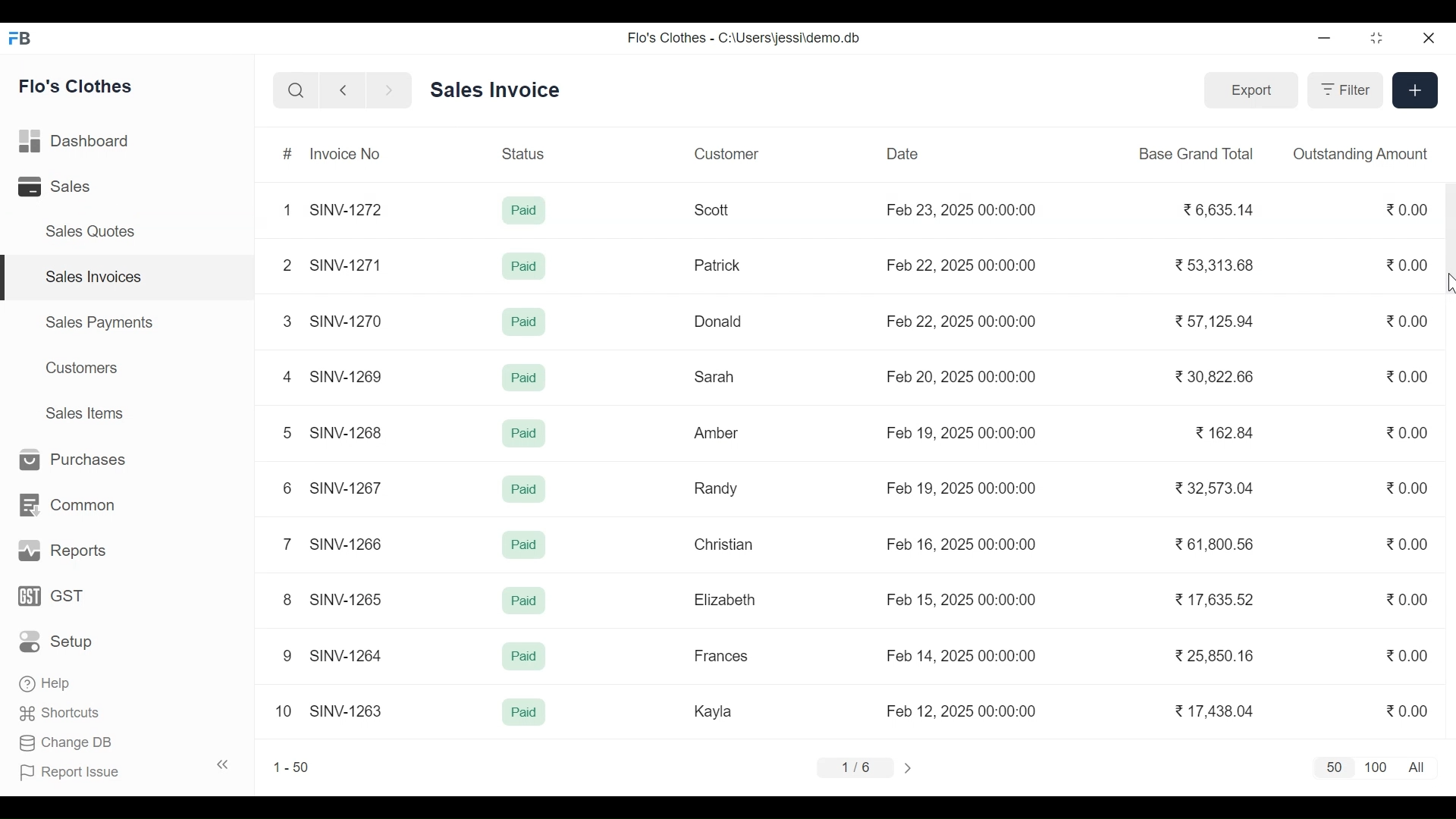  Describe the element at coordinates (1331, 768) in the screenshot. I see `50` at that location.